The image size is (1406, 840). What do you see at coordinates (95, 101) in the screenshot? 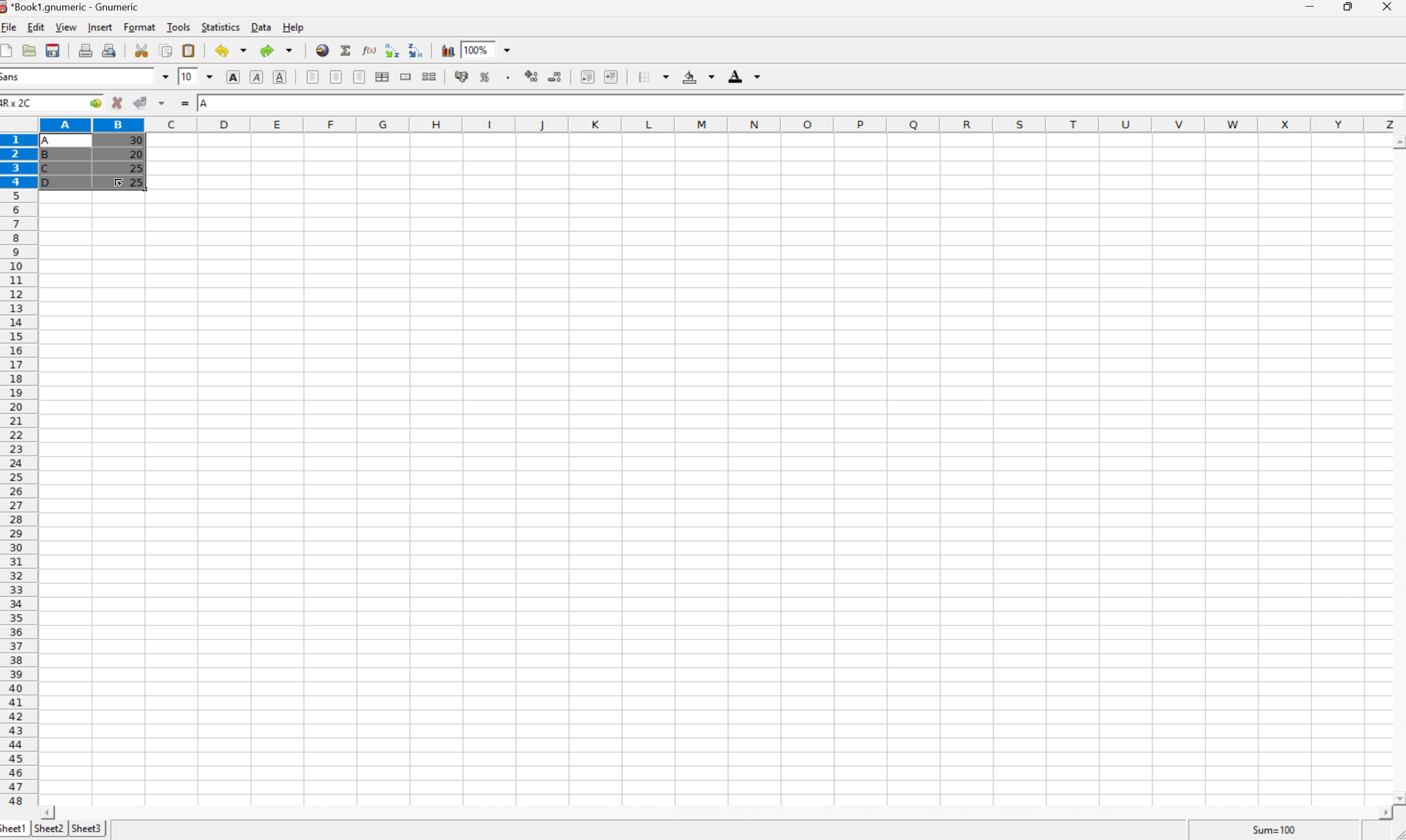
I see `Go to` at bounding box center [95, 101].